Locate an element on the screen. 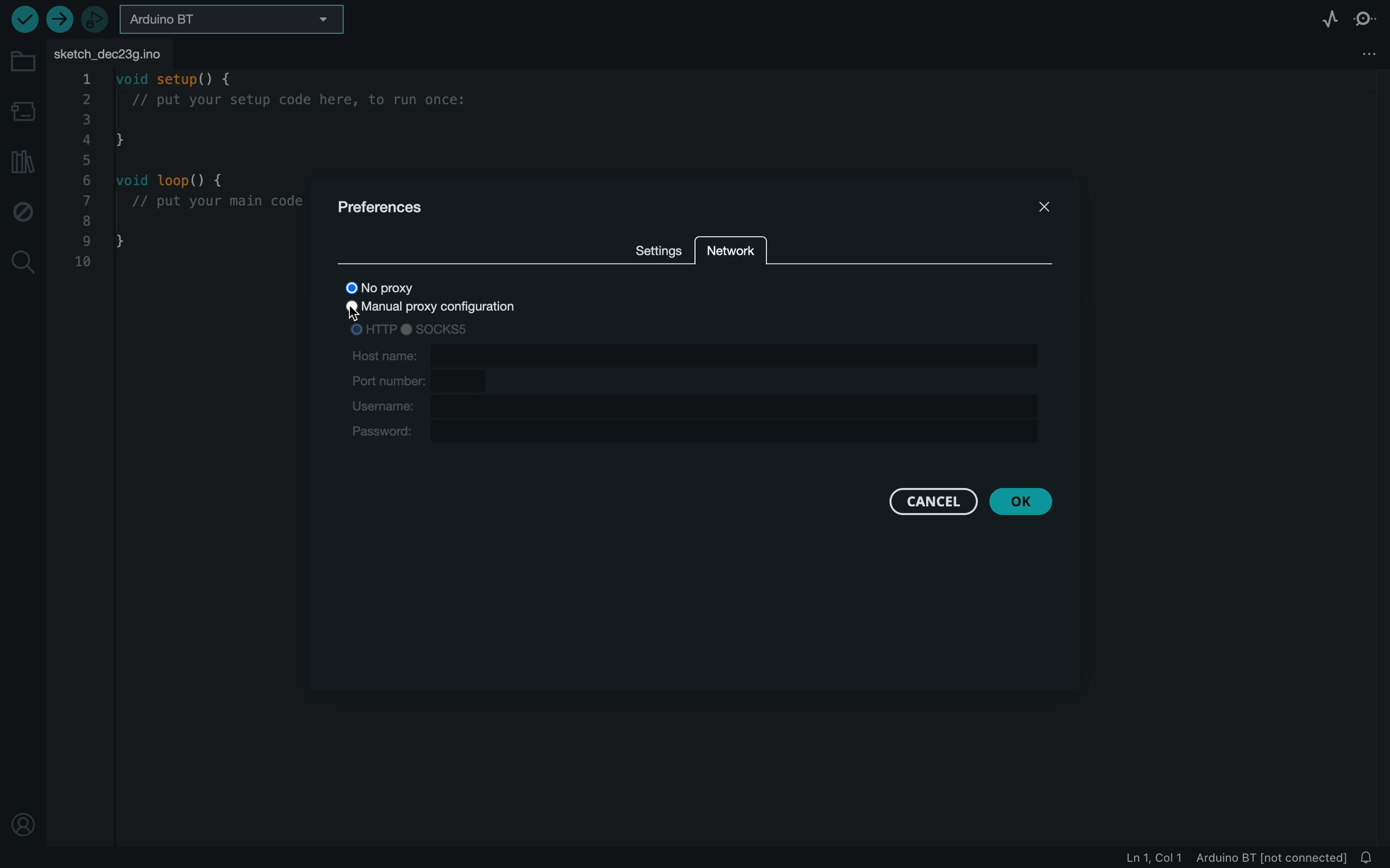 This screenshot has height=868, width=1390. library manager is located at coordinates (20, 162).